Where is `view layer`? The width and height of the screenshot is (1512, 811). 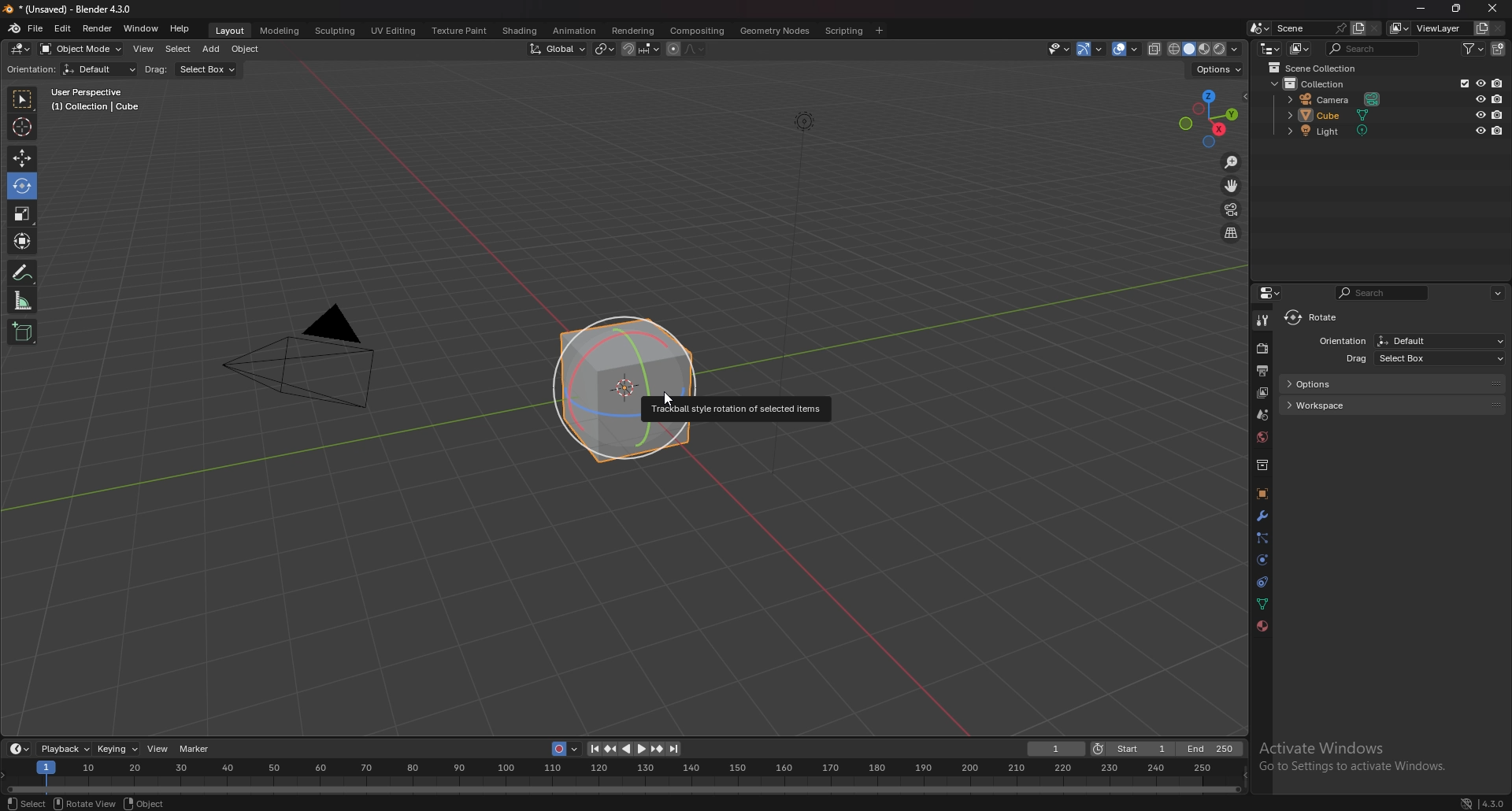 view layer is located at coordinates (1429, 28).